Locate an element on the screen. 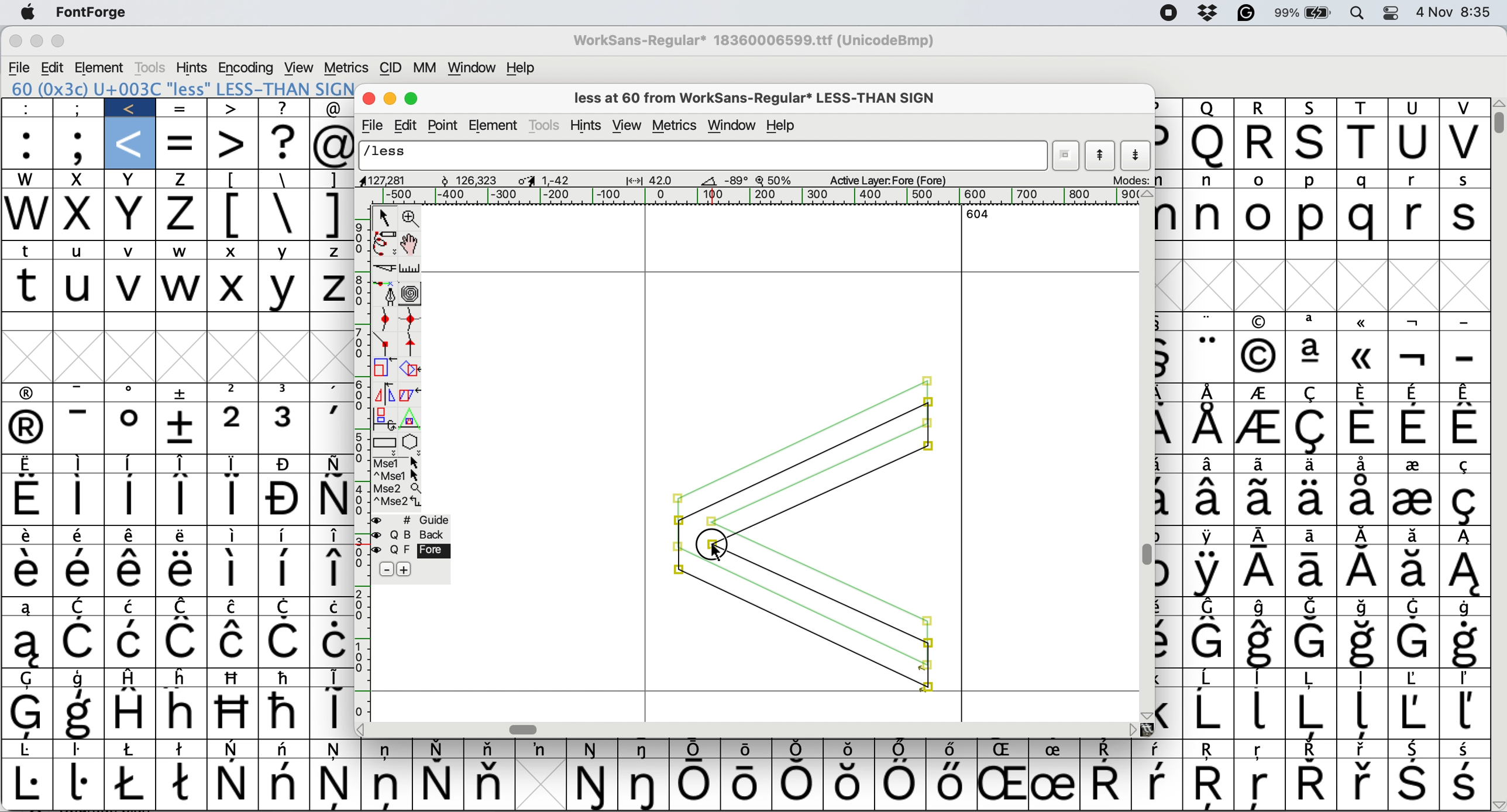  Symbol is located at coordinates (1259, 713).